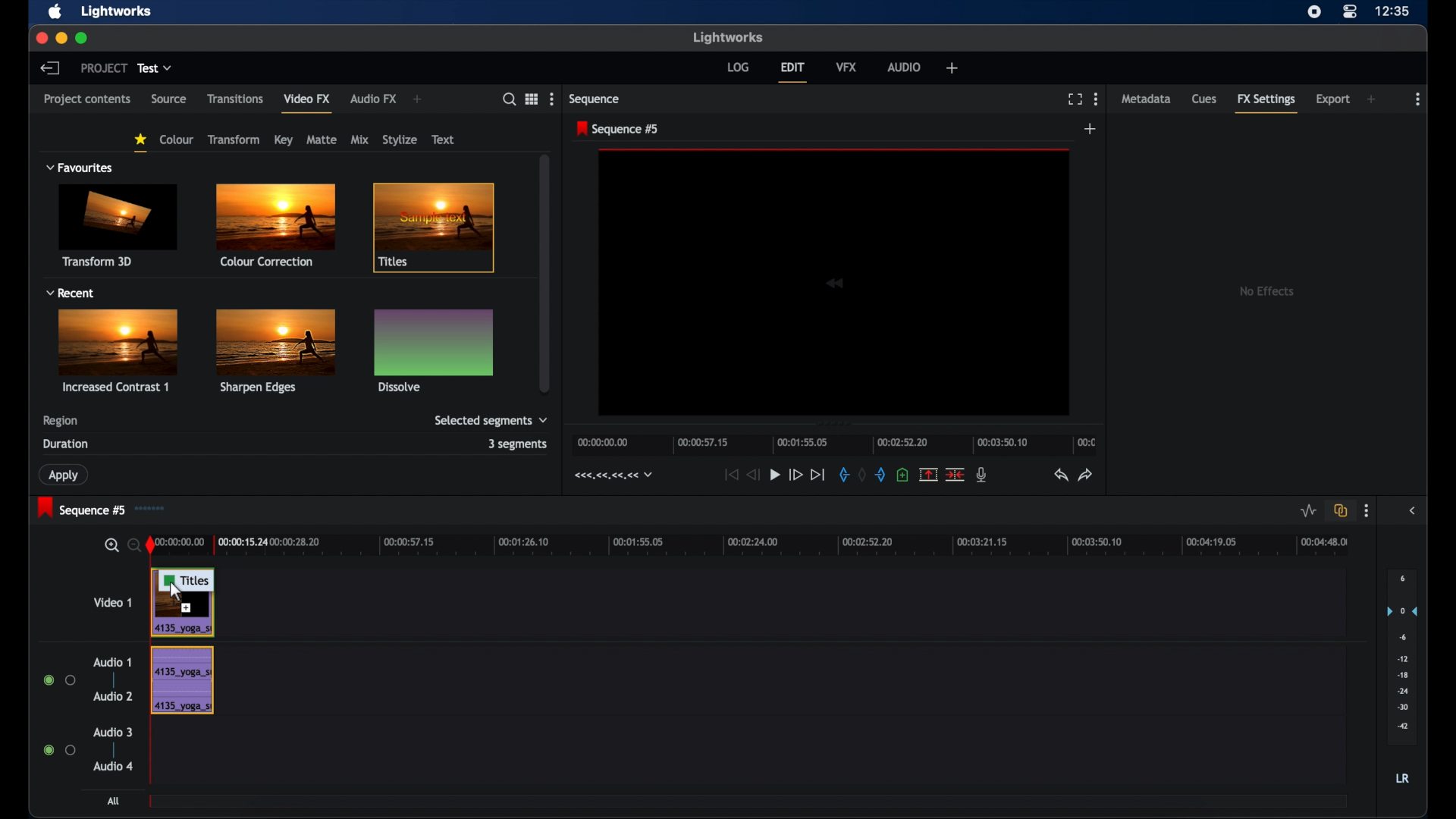 This screenshot has width=1456, height=819. What do you see at coordinates (1402, 658) in the screenshot?
I see `audio output level` at bounding box center [1402, 658].